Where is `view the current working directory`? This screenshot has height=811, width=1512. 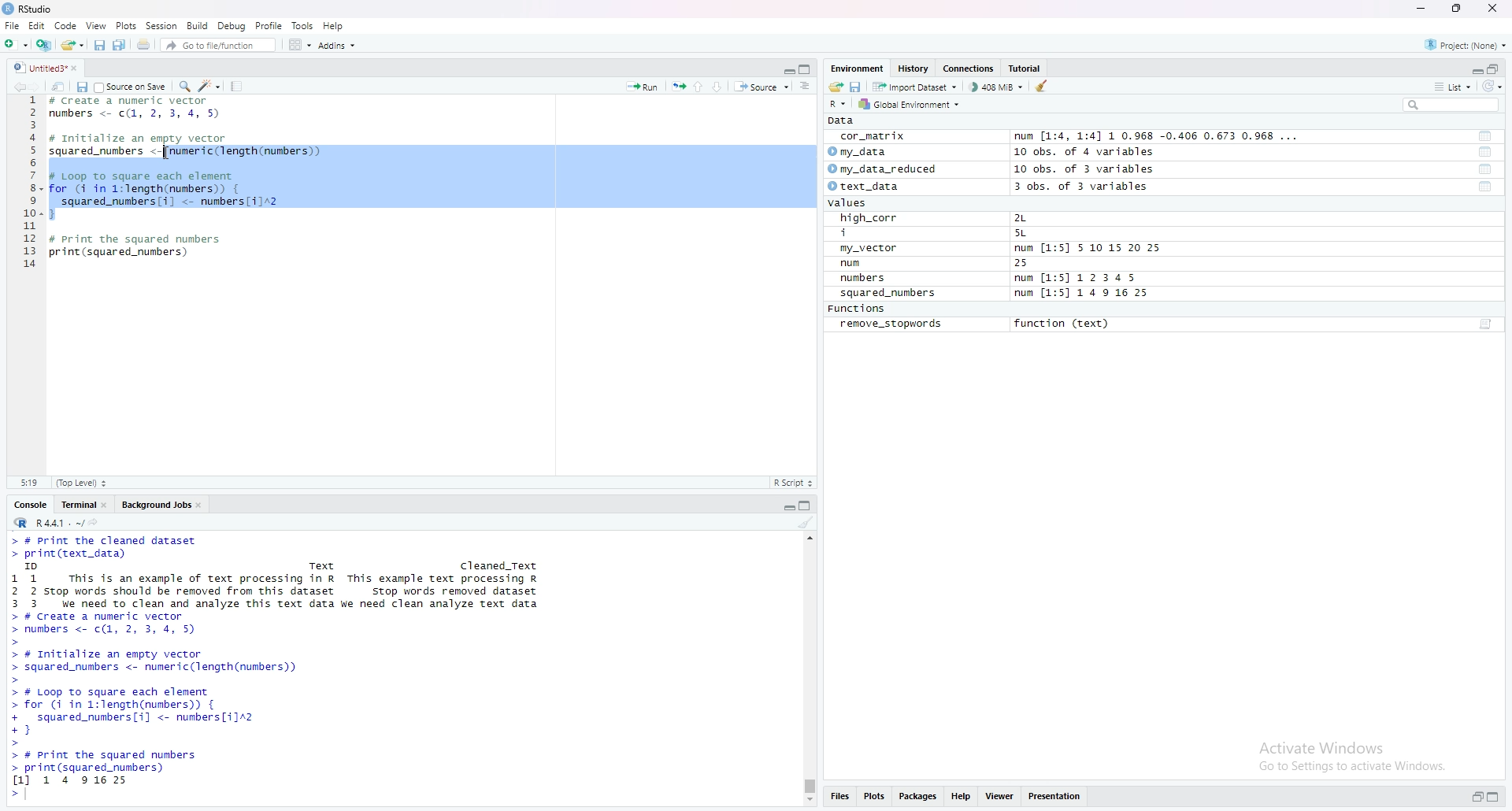 view the current working directory is located at coordinates (94, 521).